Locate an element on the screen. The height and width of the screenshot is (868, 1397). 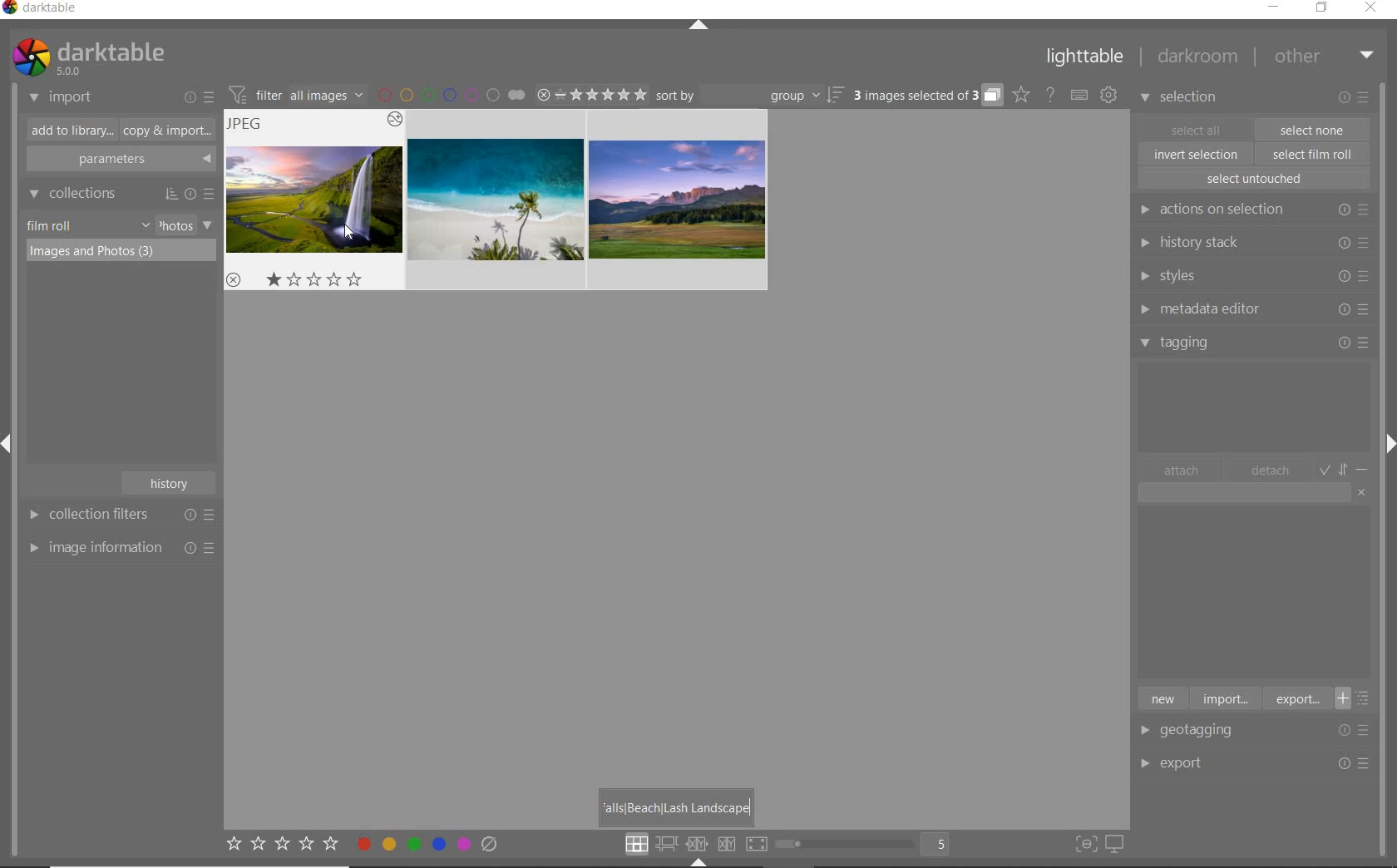
set display profile is located at coordinates (1114, 845).